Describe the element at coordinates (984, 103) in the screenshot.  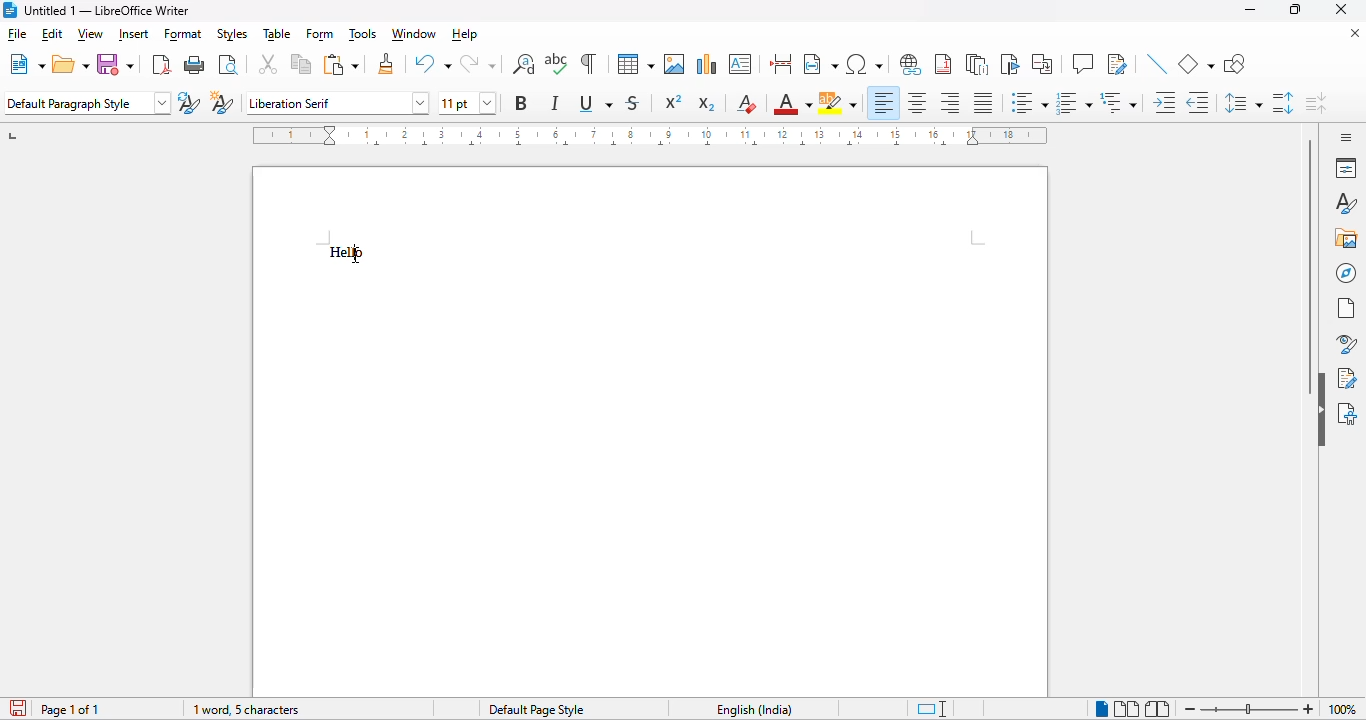
I see `justified` at that location.